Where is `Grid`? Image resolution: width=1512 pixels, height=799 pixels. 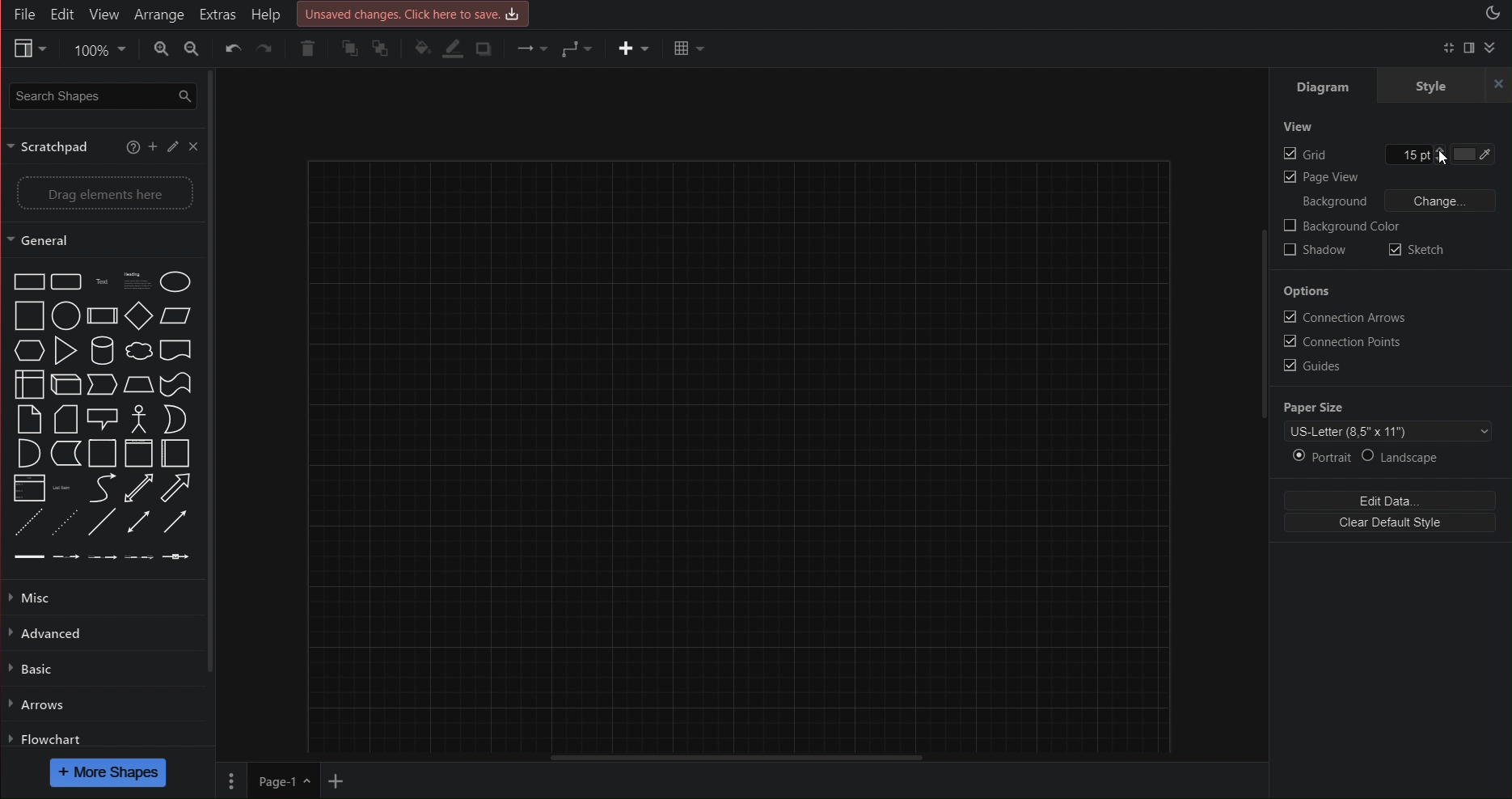 Grid is located at coordinates (1306, 156).